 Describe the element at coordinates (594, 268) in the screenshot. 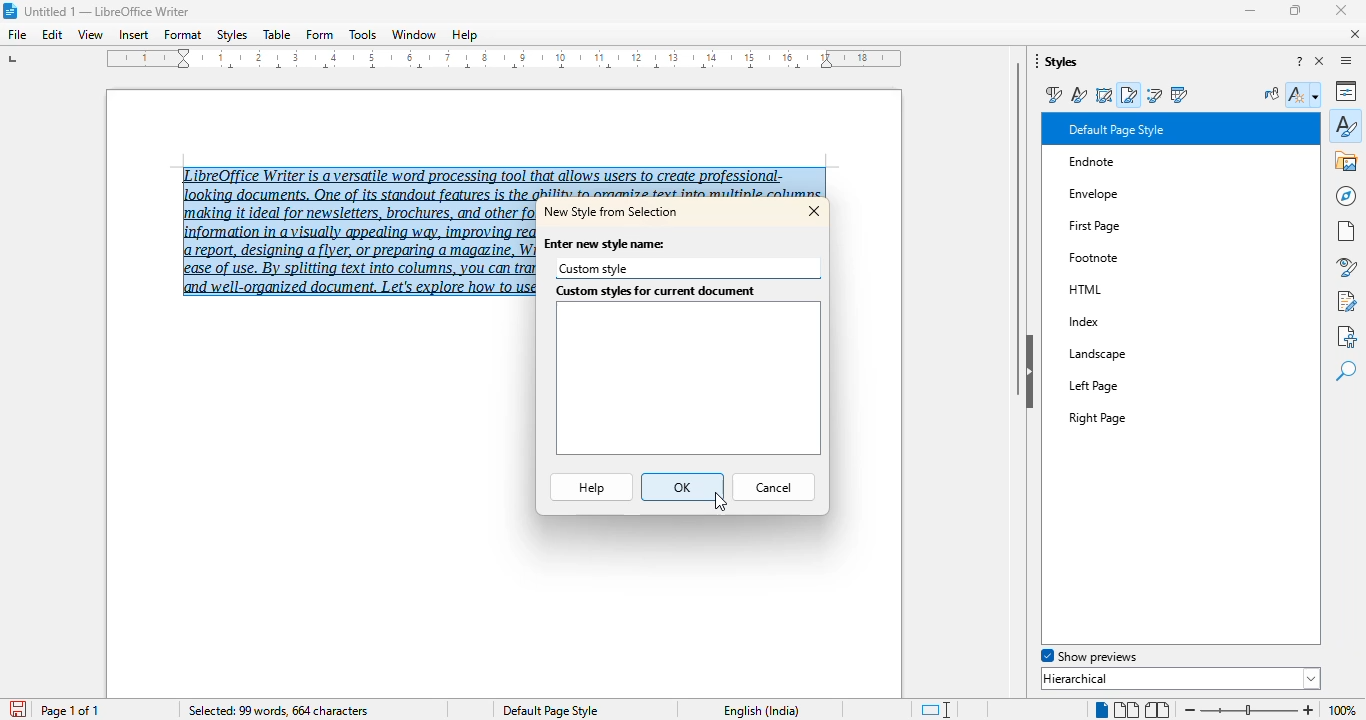

I see `custom style` at that location.